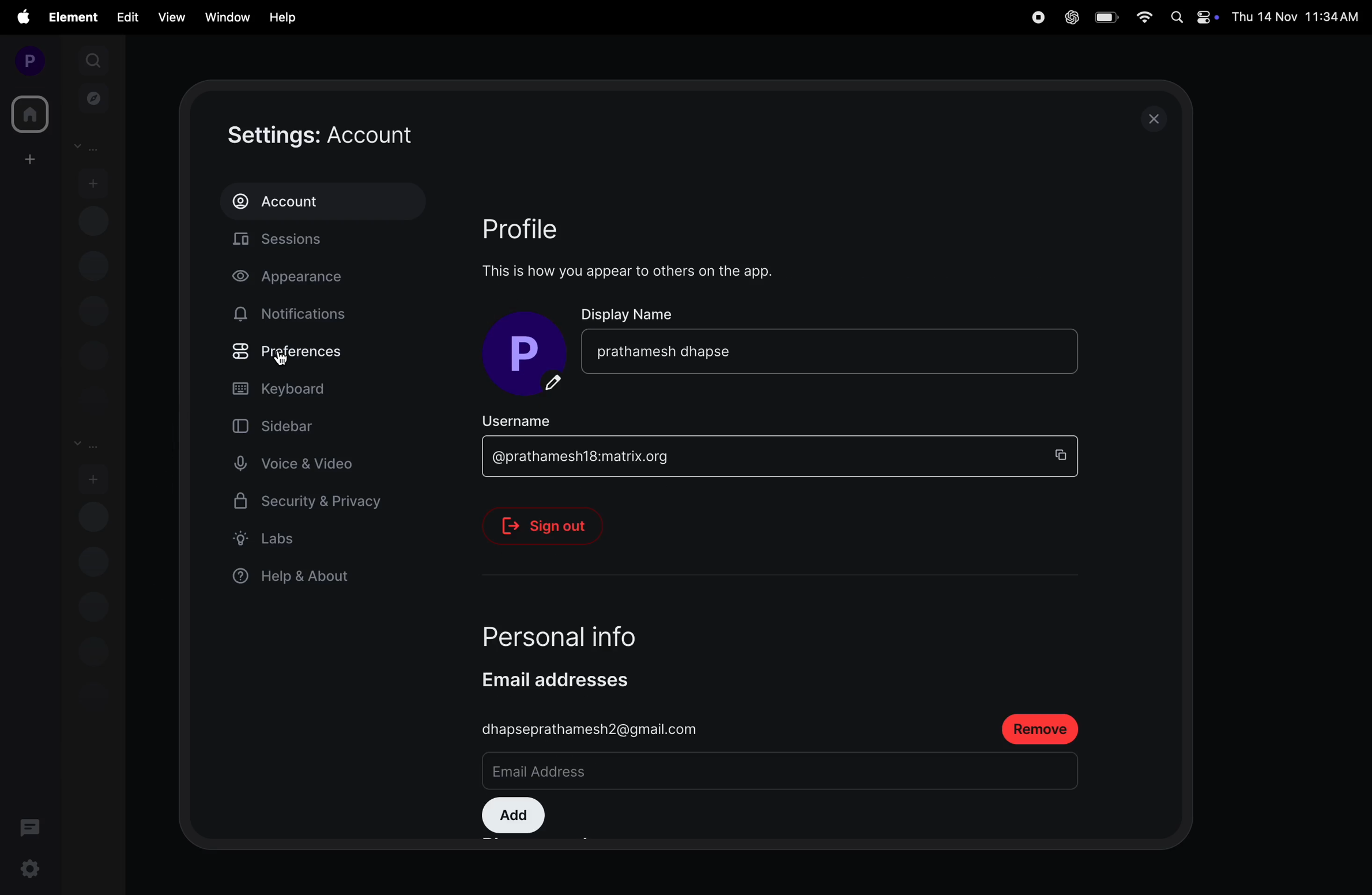 The width and height of the screenshot is (1372, 895). What do you see at coordinates (312, 315) in the screenshot?
I see `notifications` at bounding box center [312, 315].